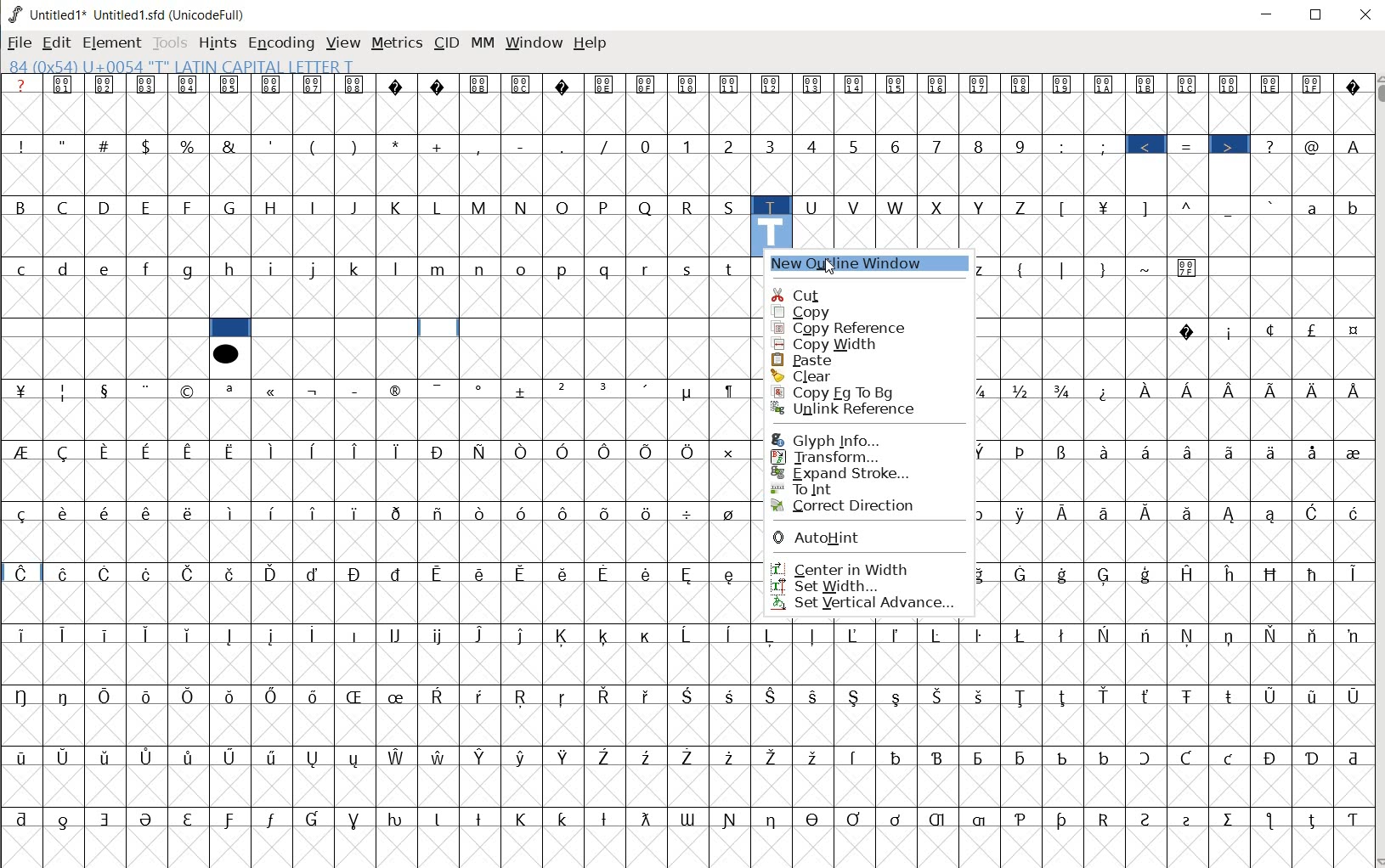 The image size is (1385, 868). Describe the element at coordinates (1025, 757) in the screenshot. I see `Symbol` at that location.